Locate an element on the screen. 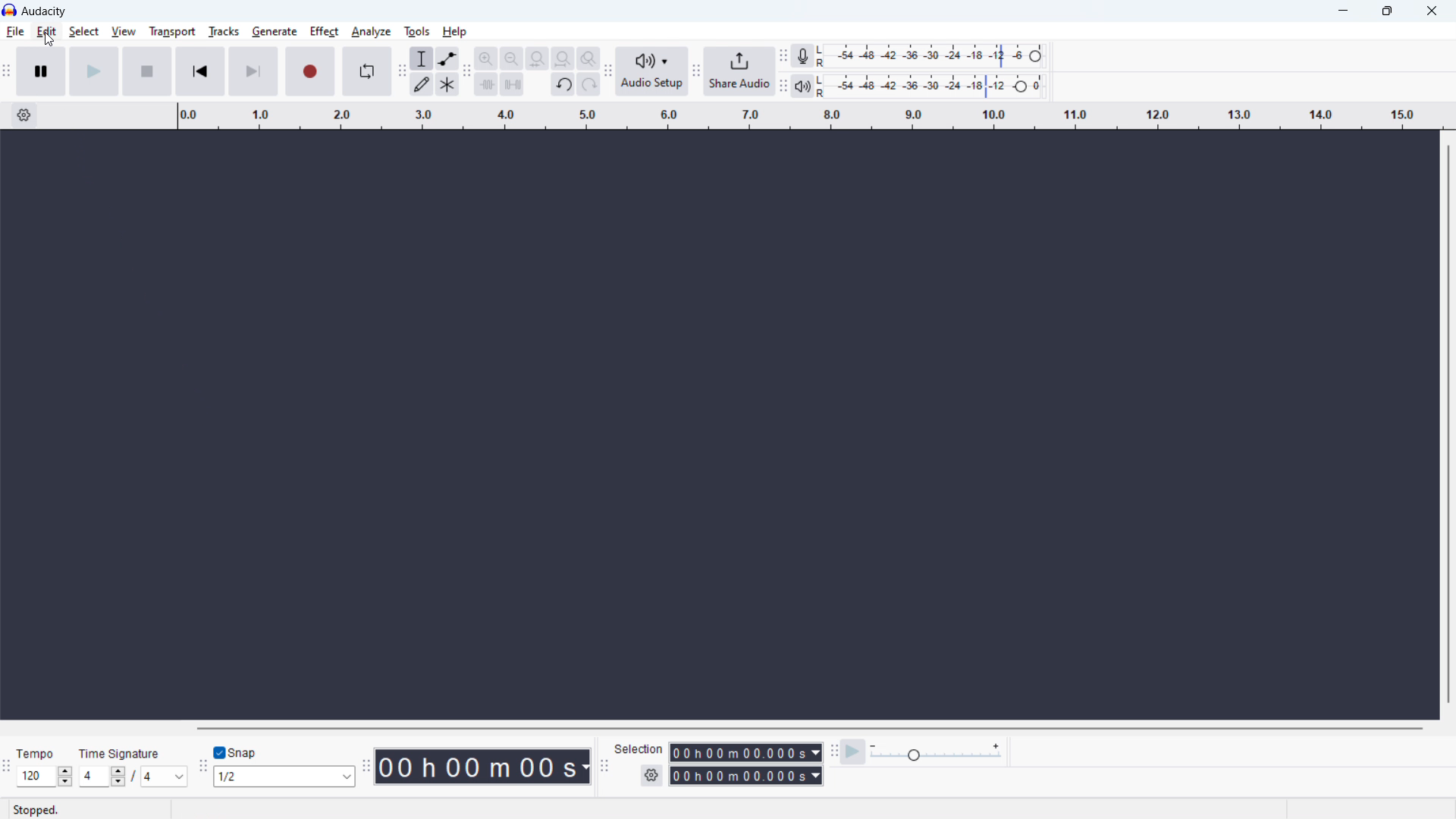 This screenshot has width=1456, height=819. playback speed is located at coordinates (936, 753).